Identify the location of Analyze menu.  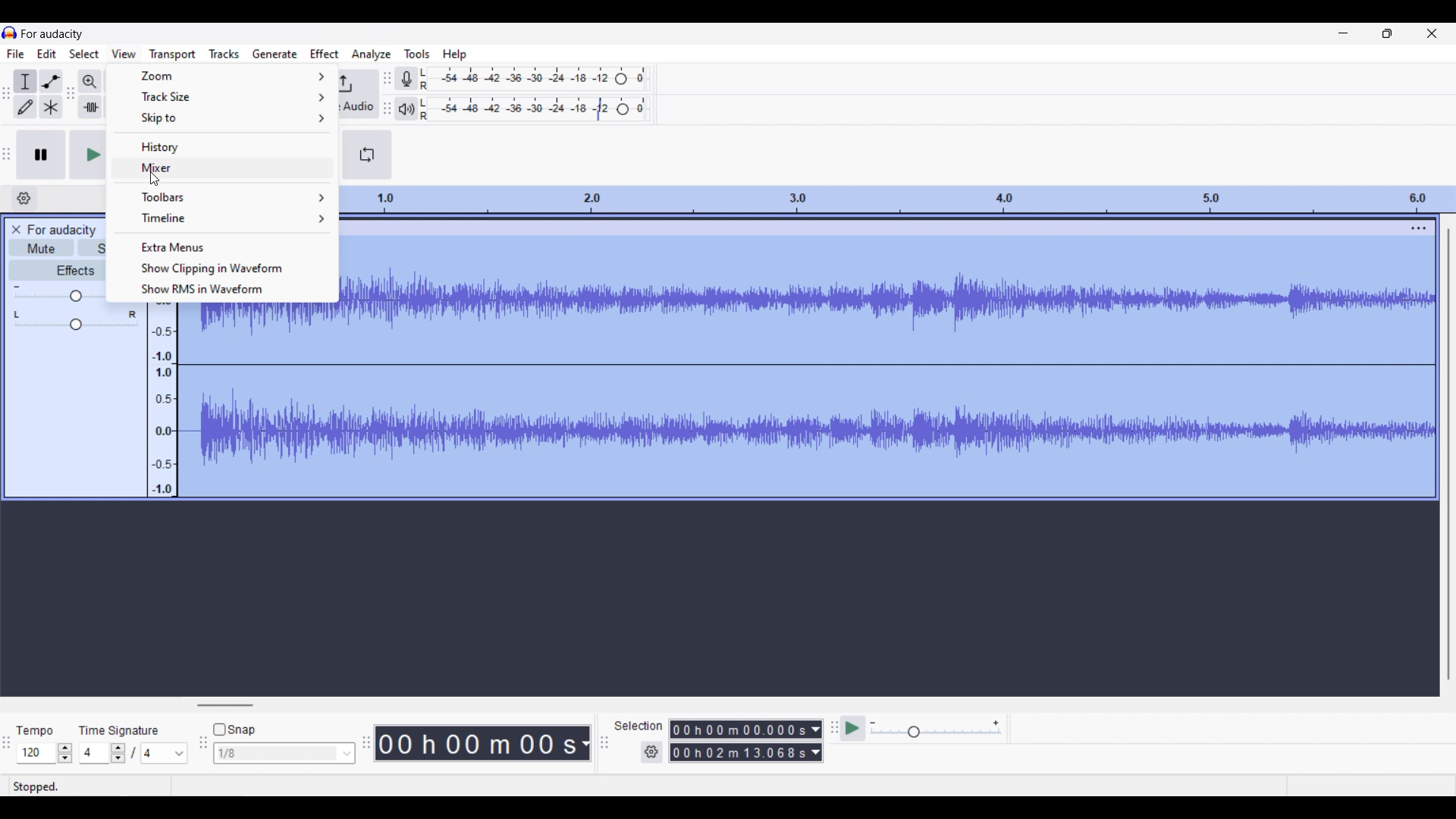
(372, 55).